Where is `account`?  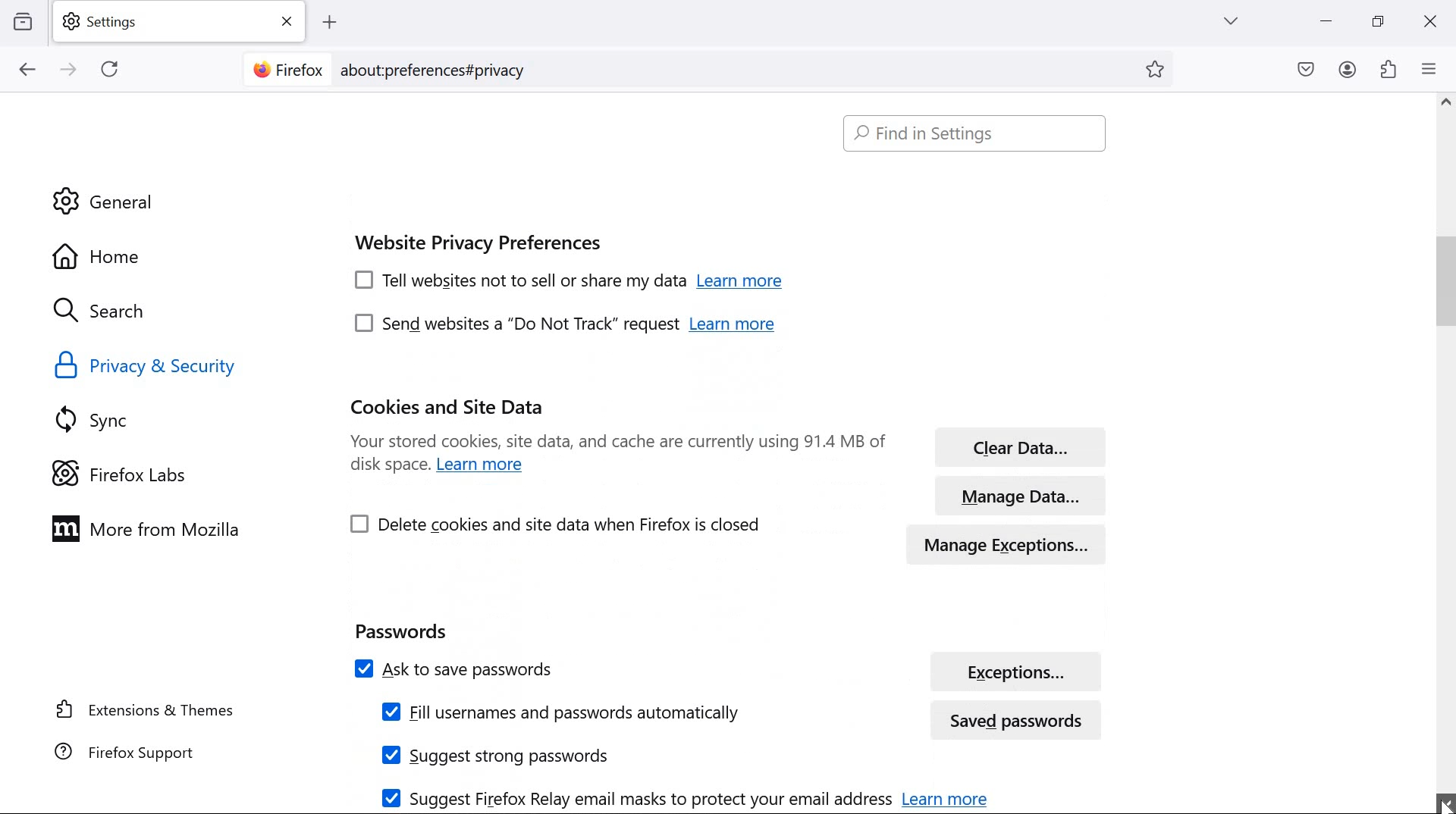
account is located at coordinates (1348, 70).